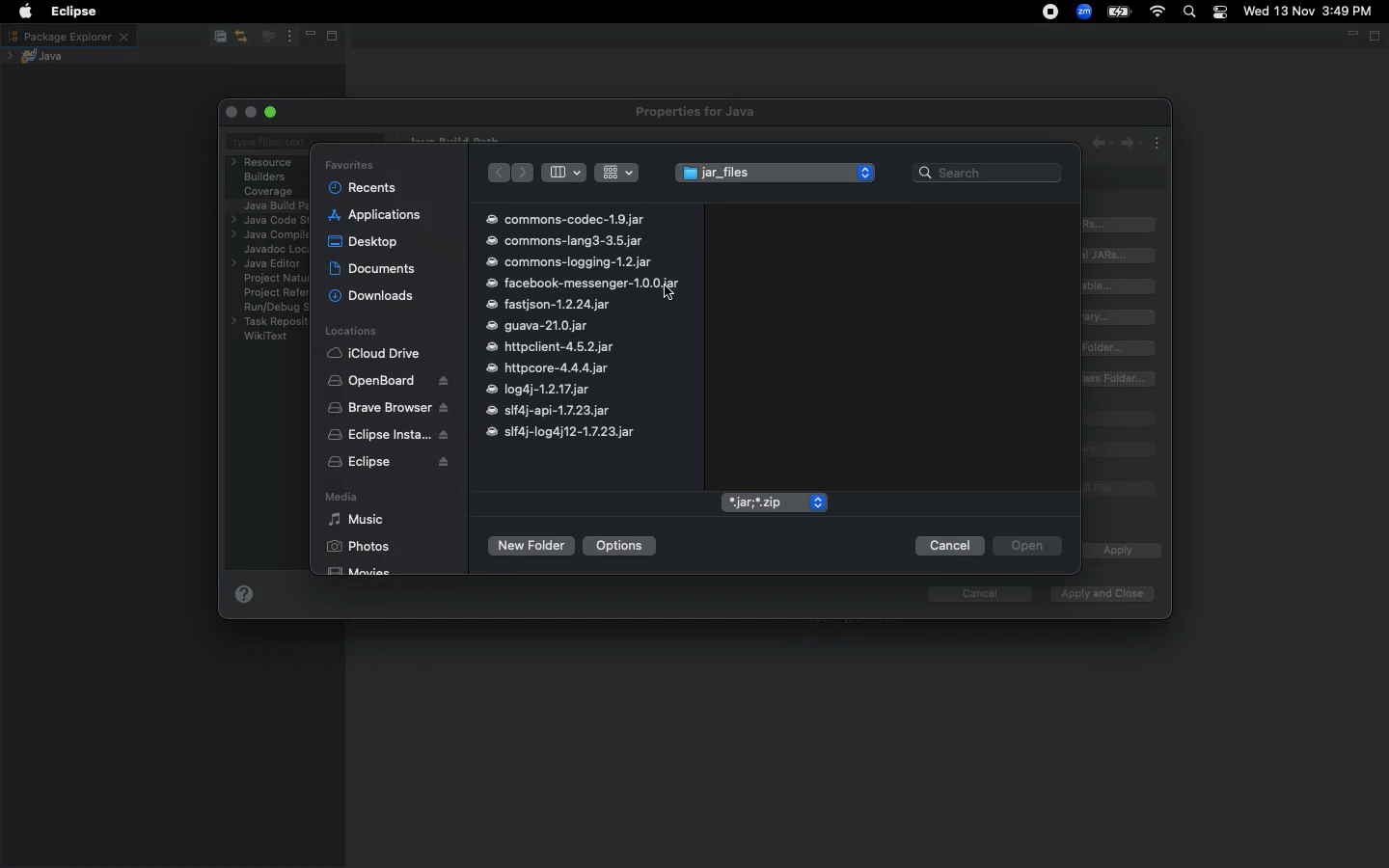  Describe the element at coordinates (338, 38) in the screenshot. I see `Maximize` at that location.